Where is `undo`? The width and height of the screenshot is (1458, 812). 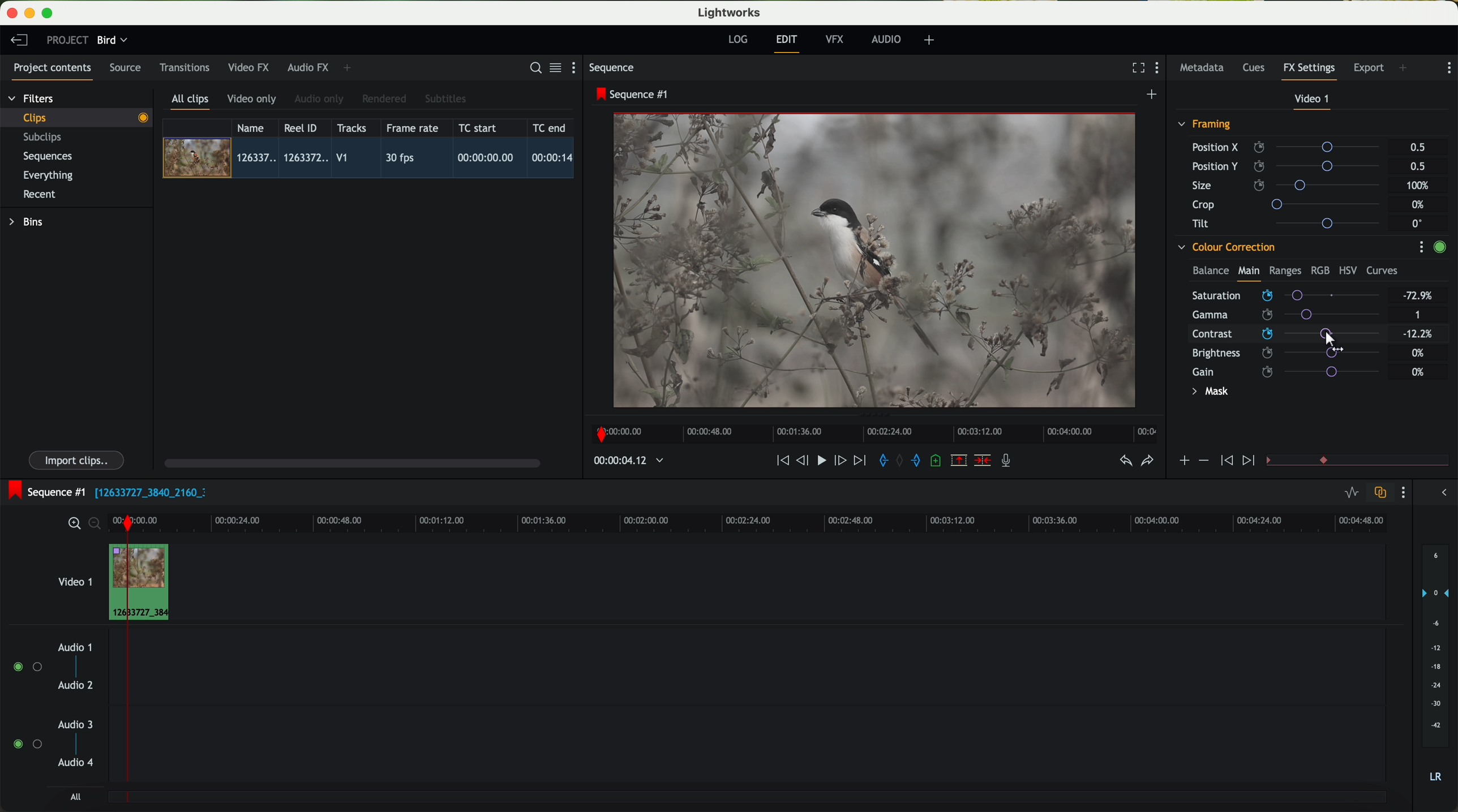
undo is located at coordinates (1125, 461).